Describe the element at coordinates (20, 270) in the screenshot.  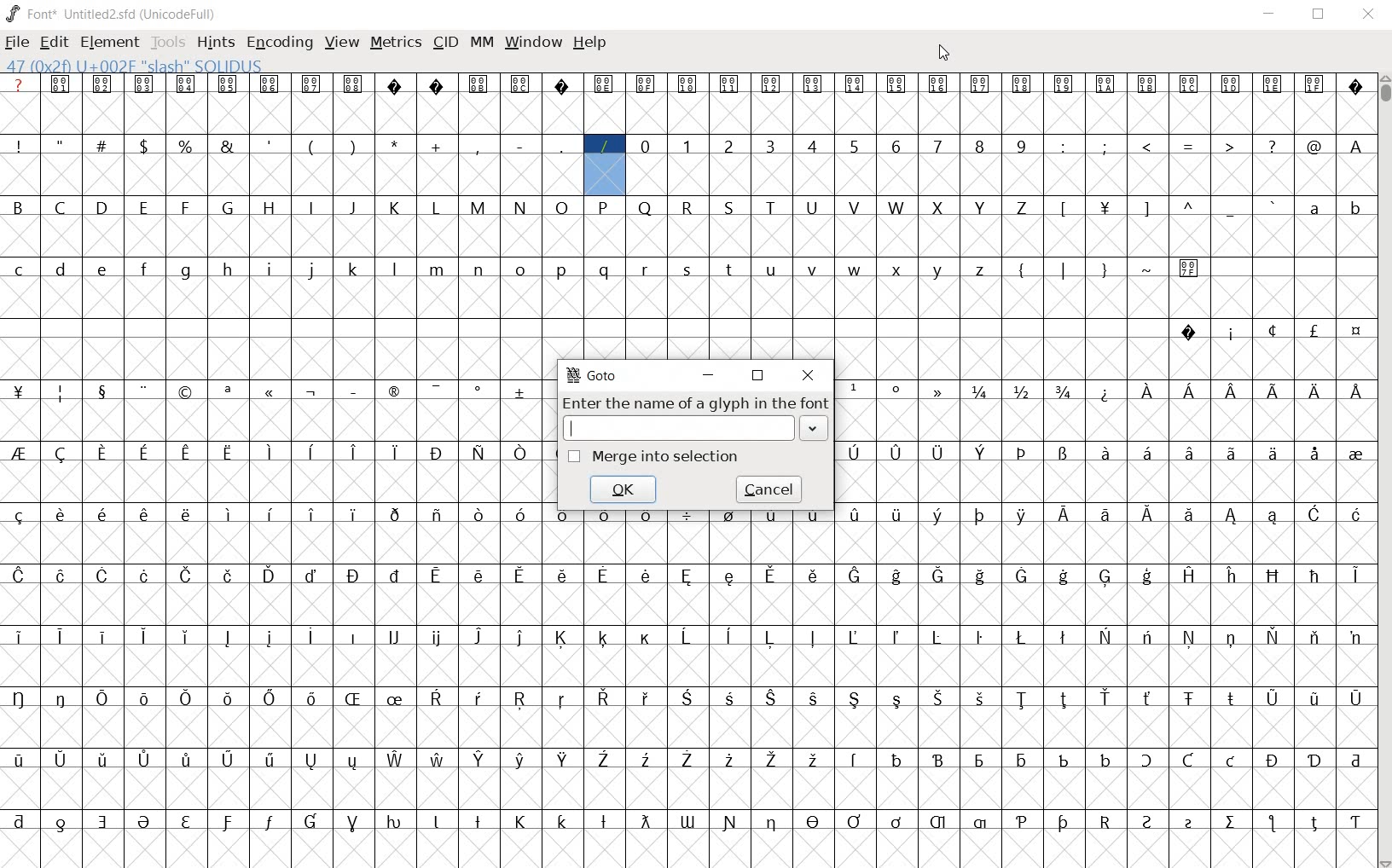
I see `glyph` at that location.